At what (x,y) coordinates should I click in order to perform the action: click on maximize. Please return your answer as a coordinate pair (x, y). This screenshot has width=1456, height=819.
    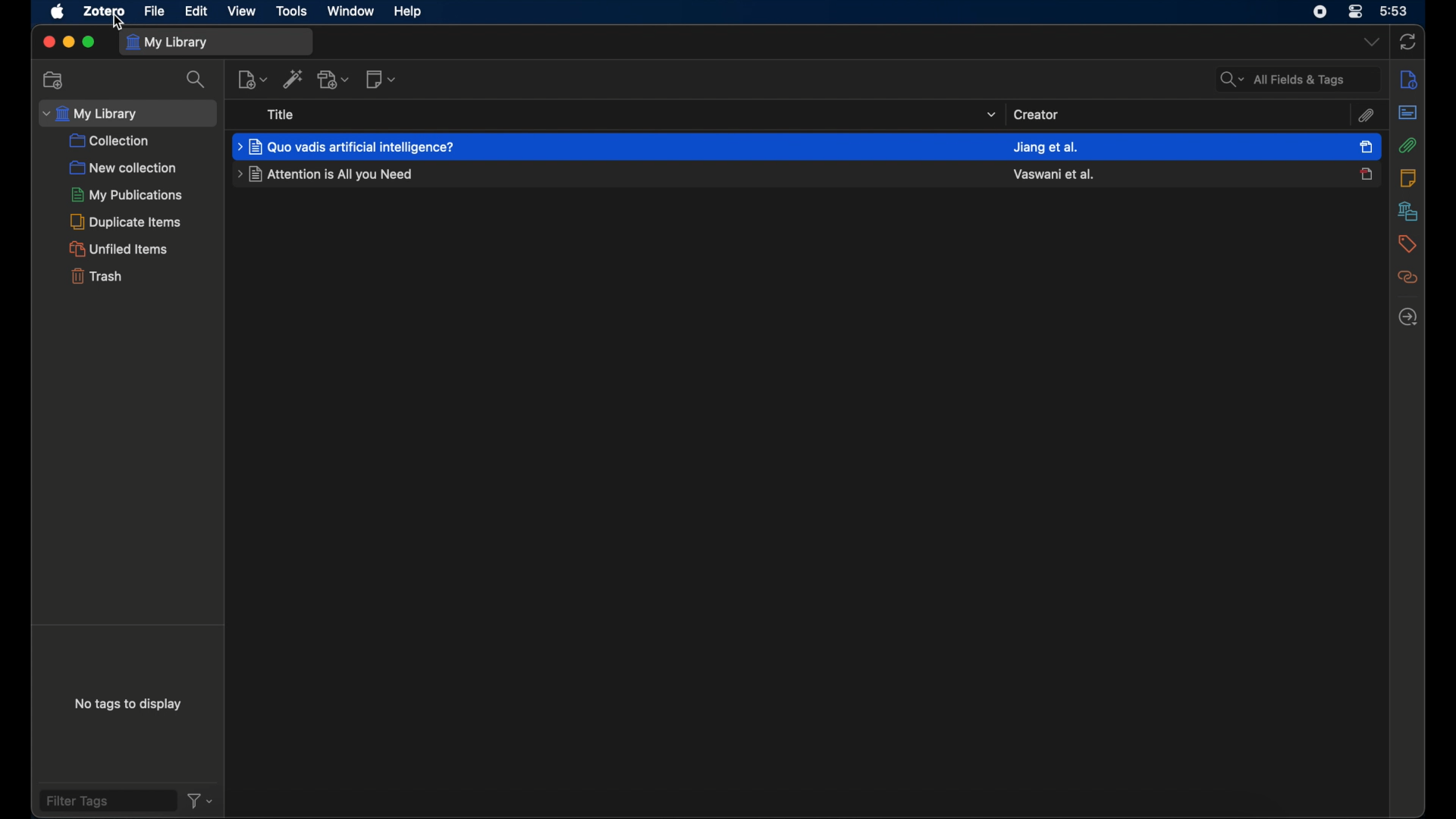
    Looking at the image, I should click on (90, 42).